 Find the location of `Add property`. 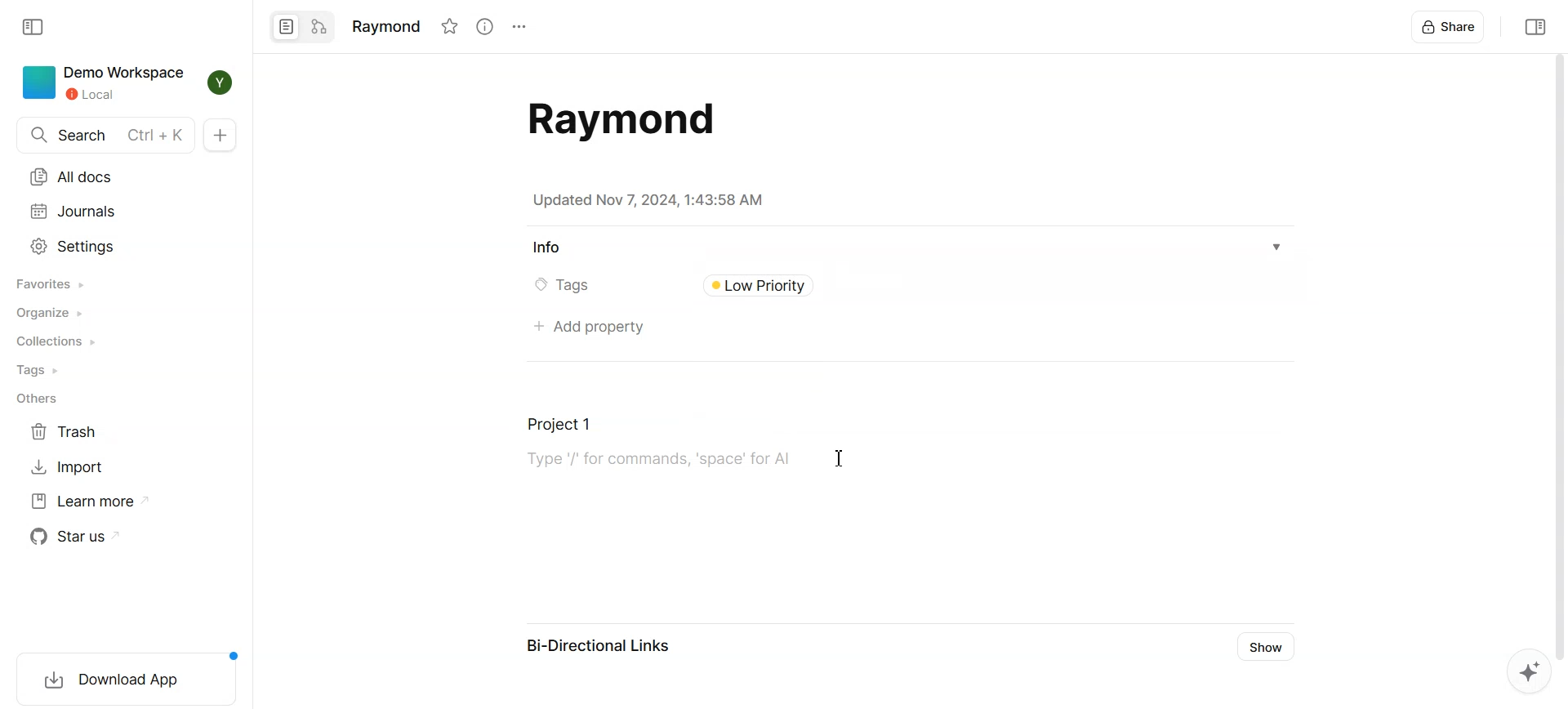

Add property is located at coordinates (587, 328).